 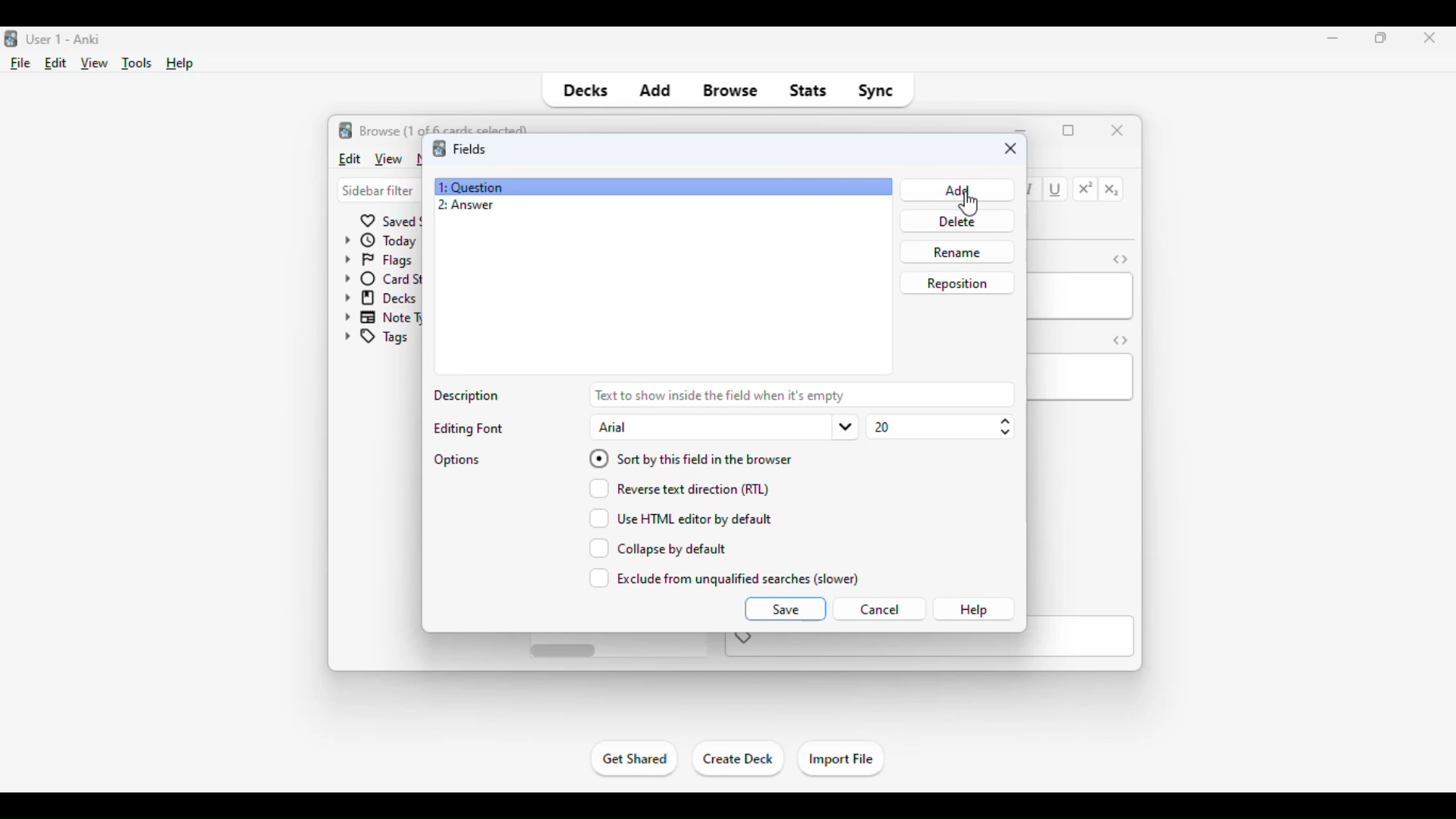 I want to click on options, so click(x=458, y=460).